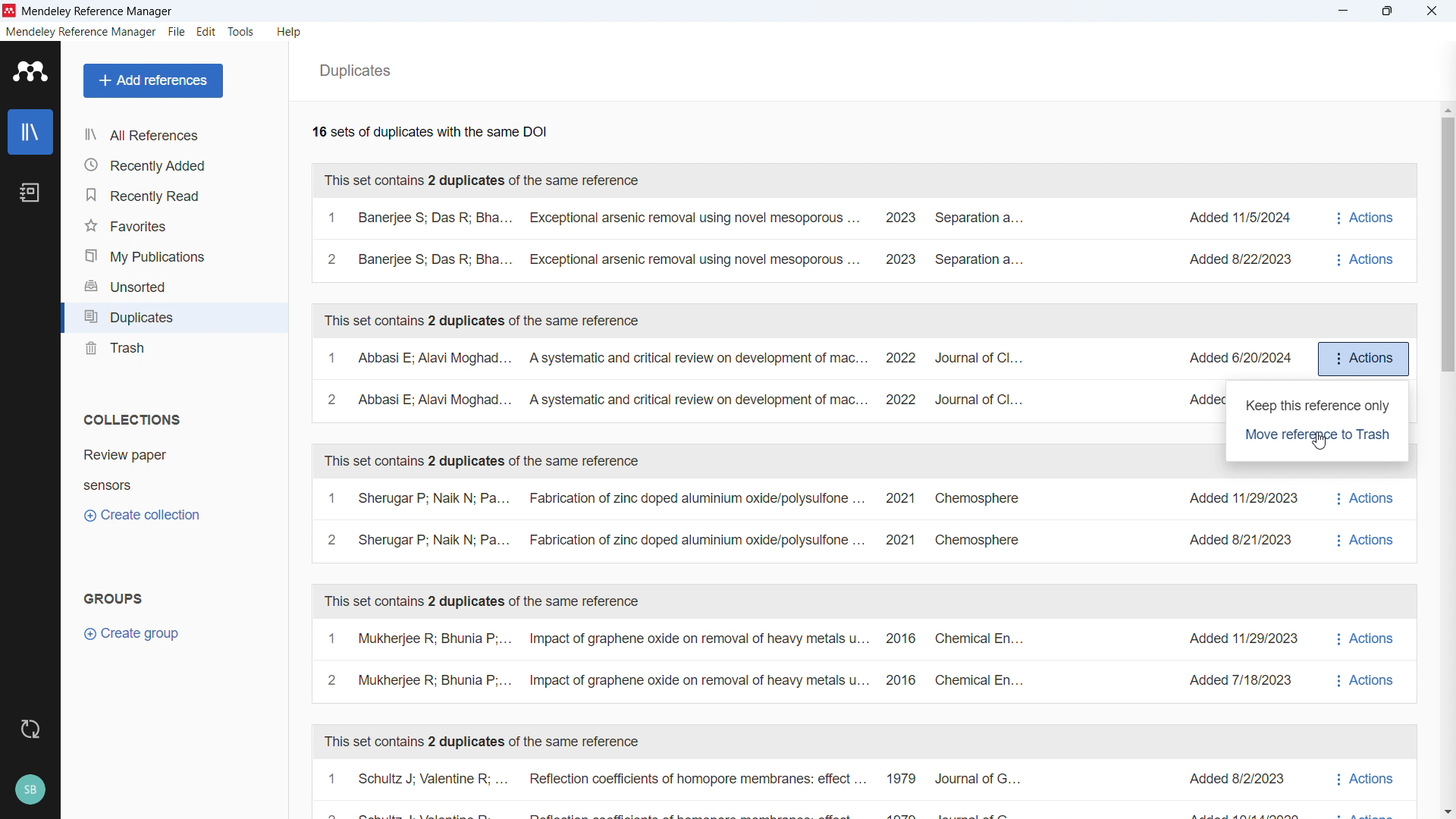 This screenshot has height=819, width=1456. I want to click on mendeley reference manager, so click(80, 32).